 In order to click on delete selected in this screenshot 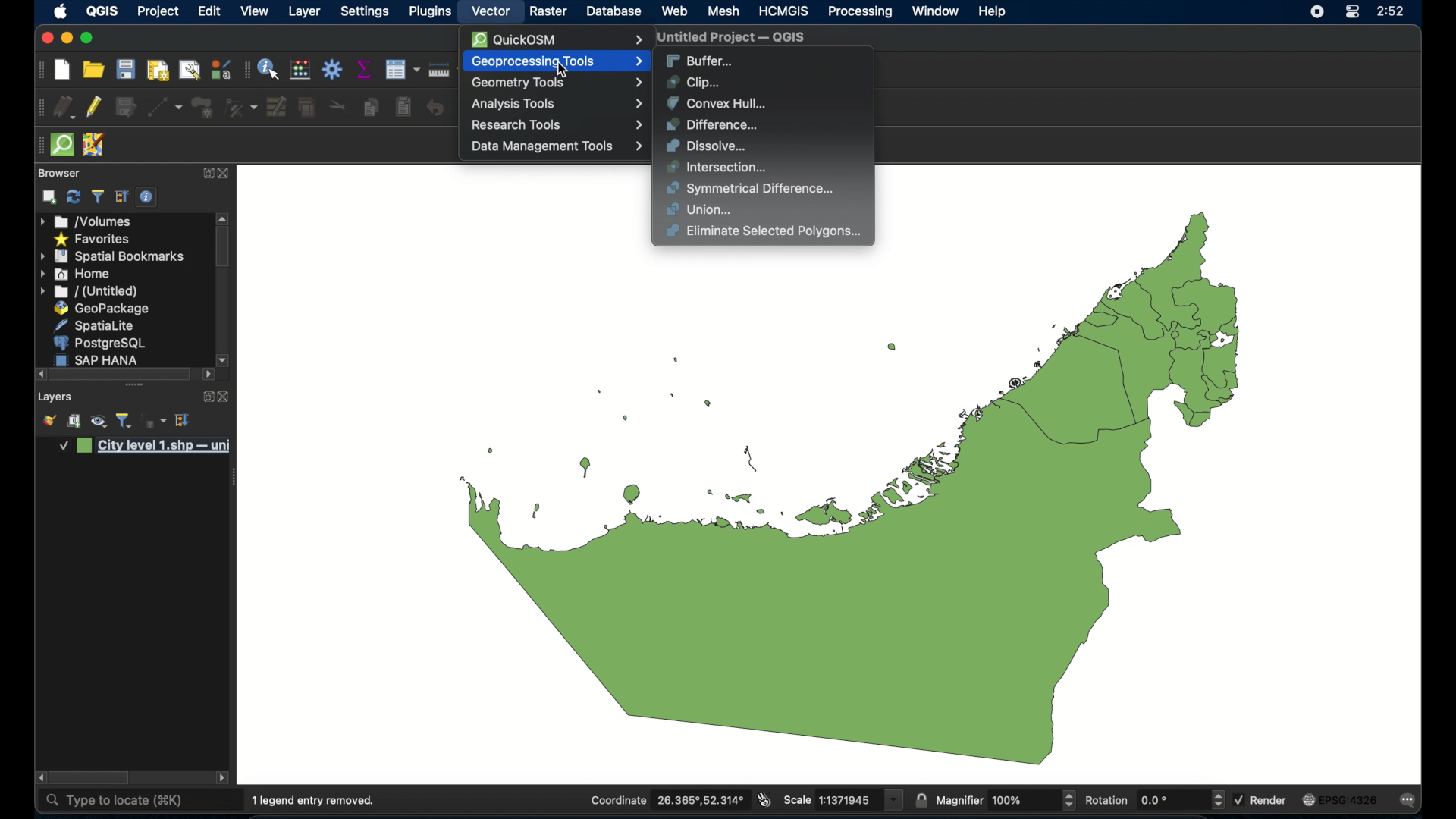, I will do `click(306, 108)`.